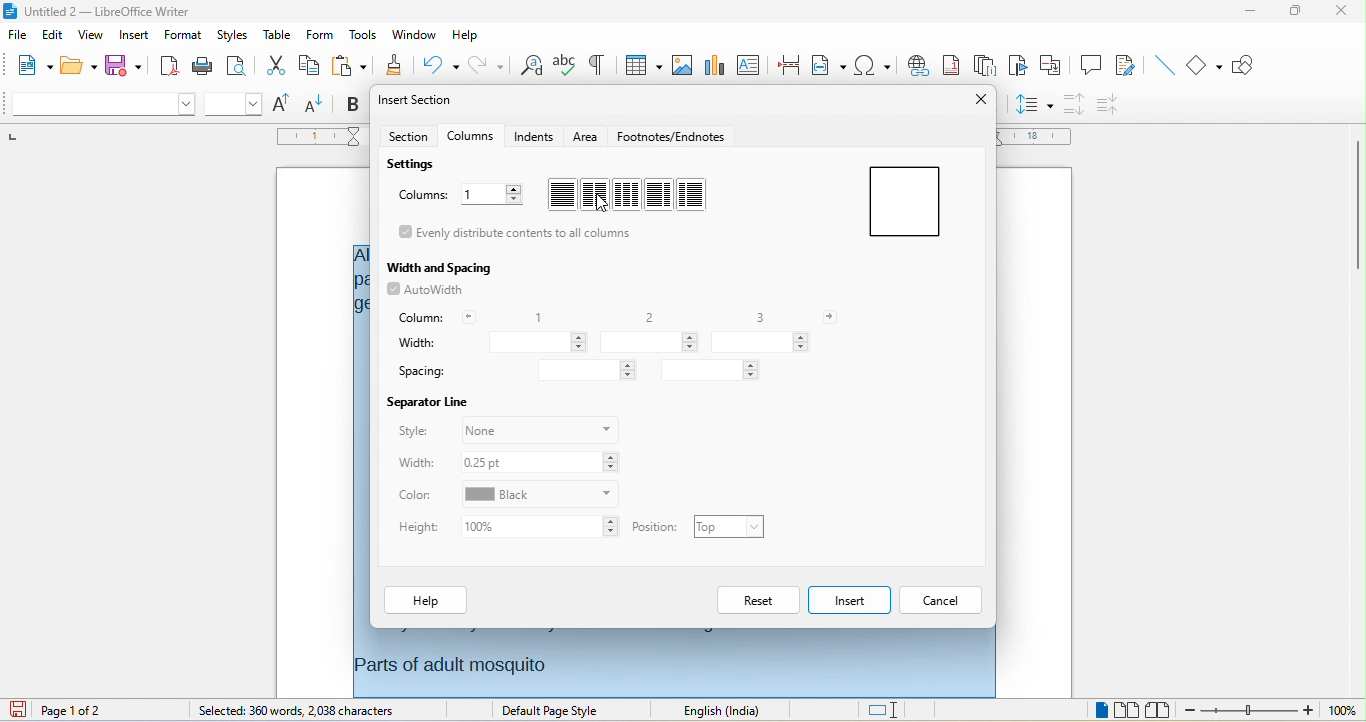  What do you see at coordinates (567, 66) in the screenshot?
I see `spelling` at bounding box center [567, 66].